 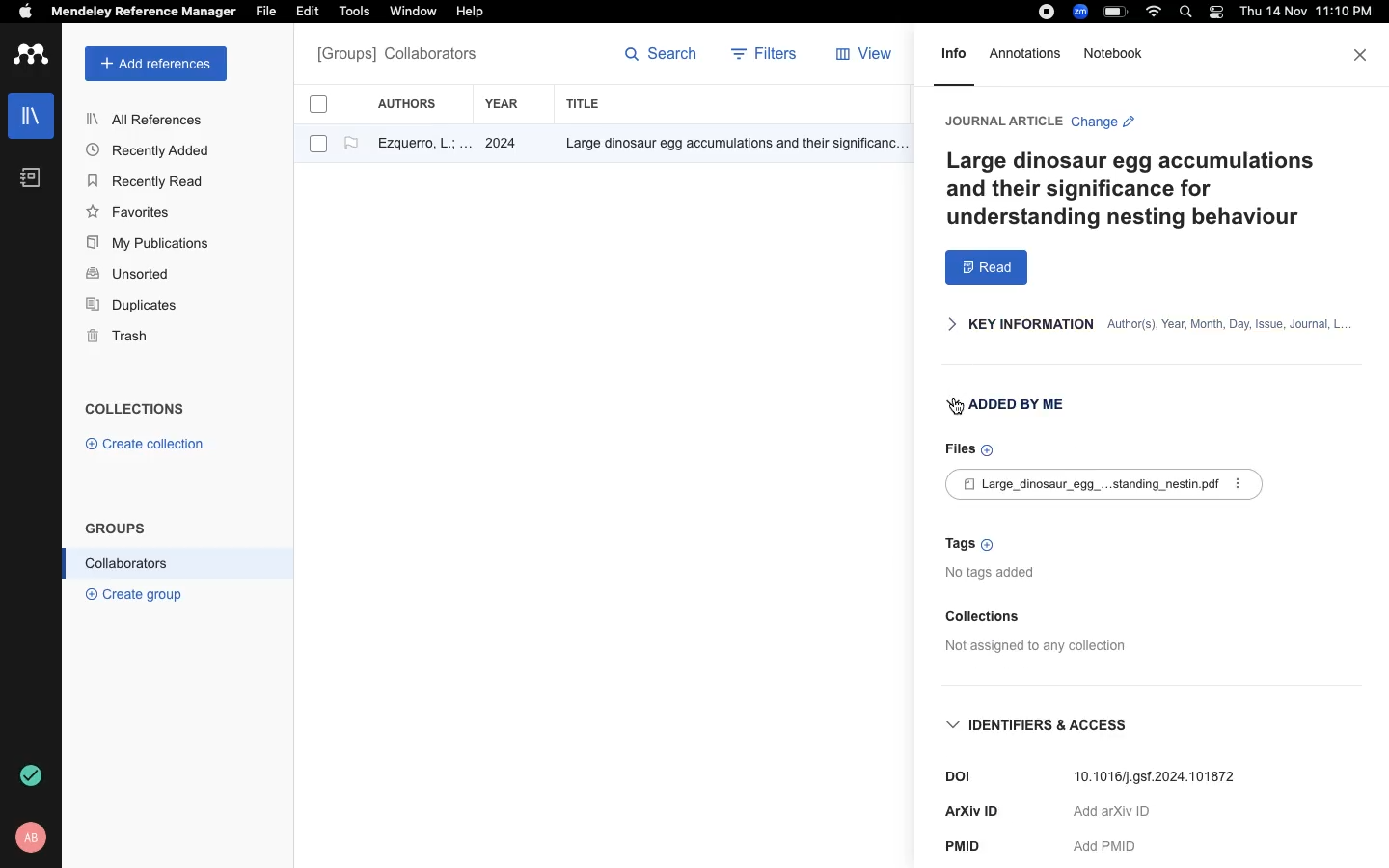 I want to click on close, so click(x=1362, y=55).